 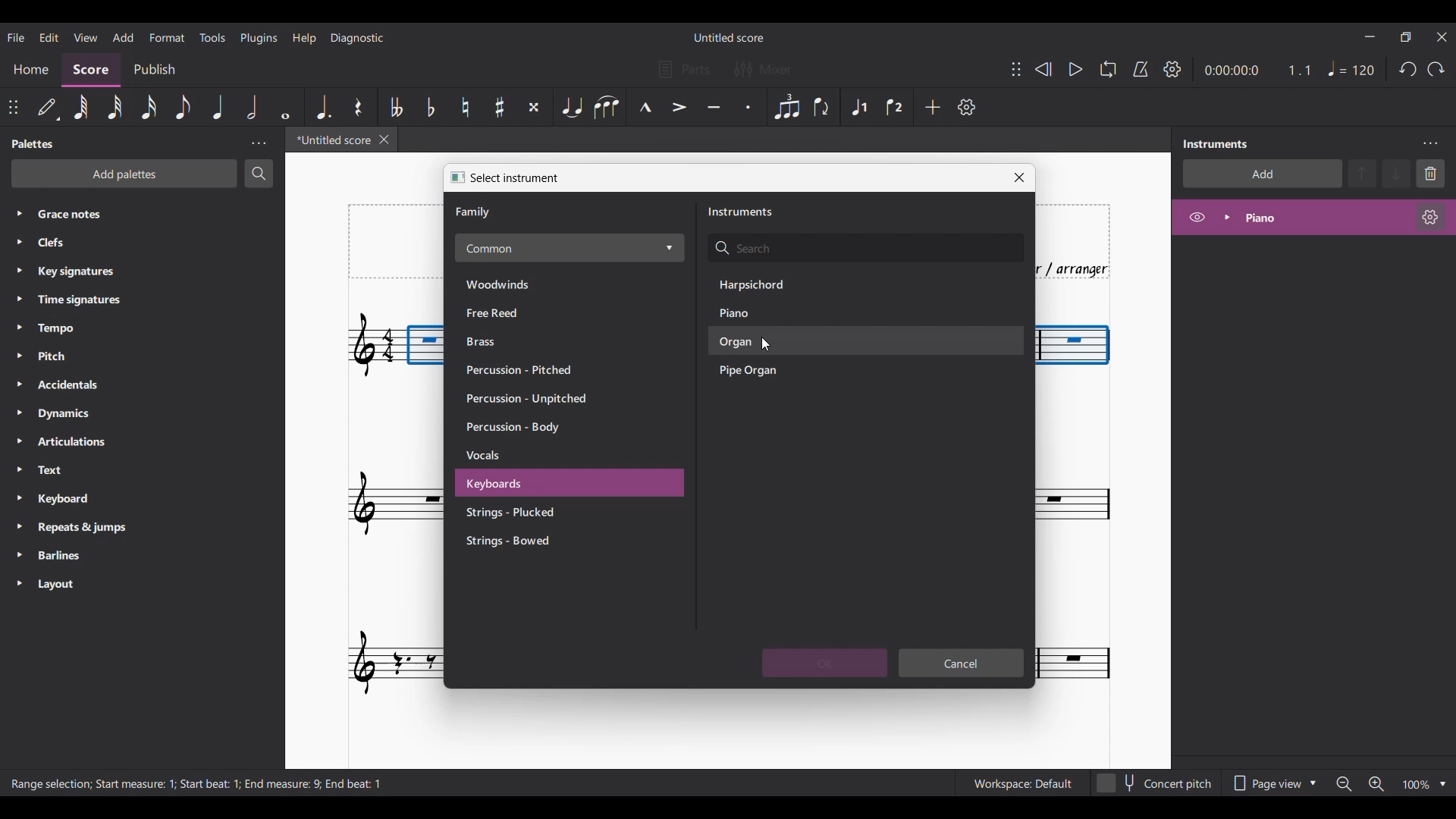 I want to click on Expand instrument, so click(x=1227, y=218).